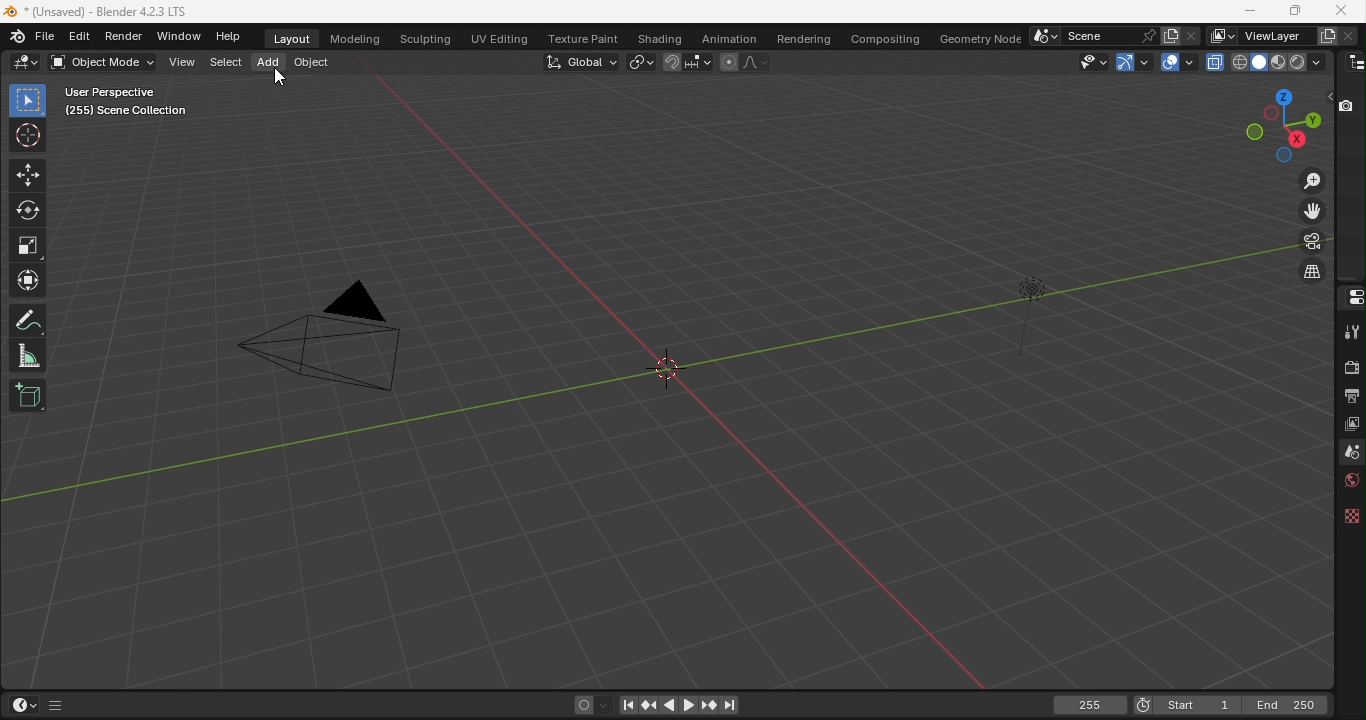  Describe the element at coordinates (1350, 427) in the screenshot. I see `View layer` at that location.